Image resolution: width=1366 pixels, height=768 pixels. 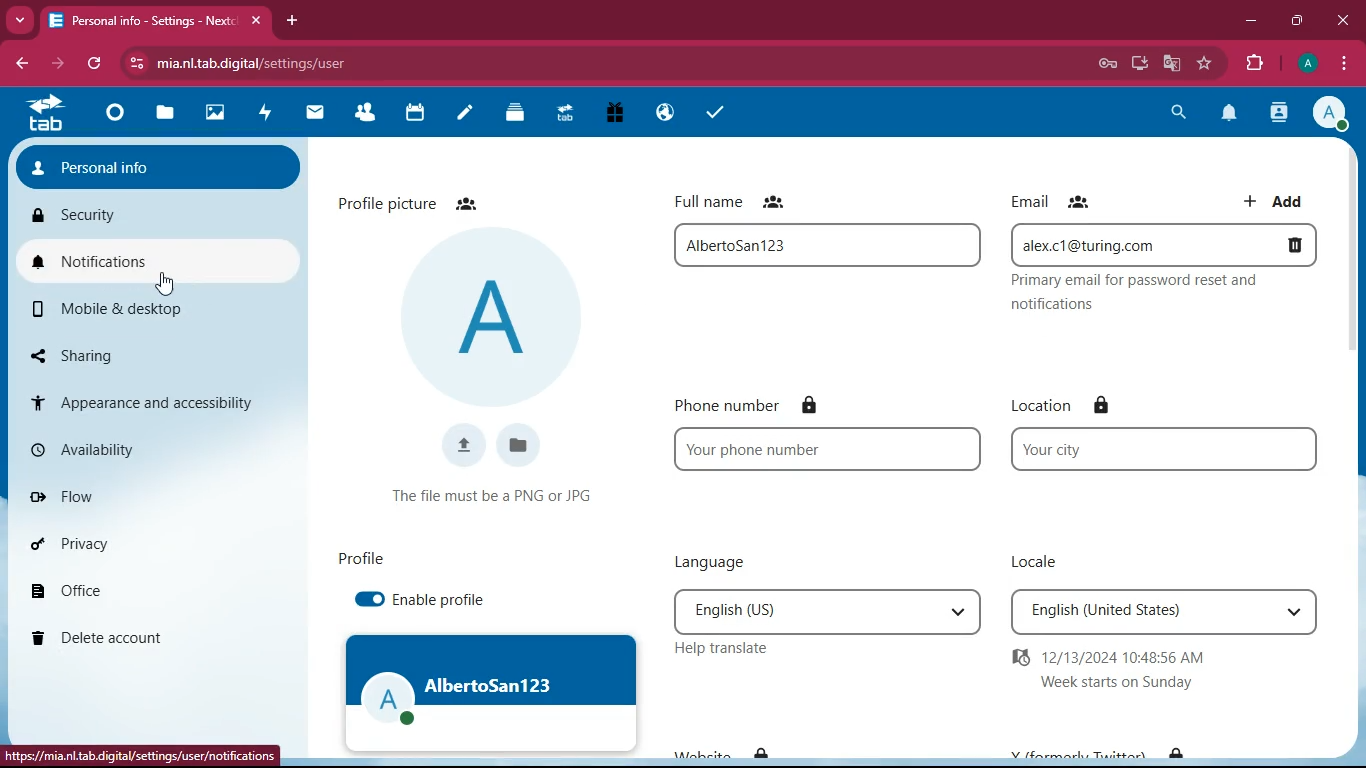 I want to click on mobile, so click(x=157, y=312).